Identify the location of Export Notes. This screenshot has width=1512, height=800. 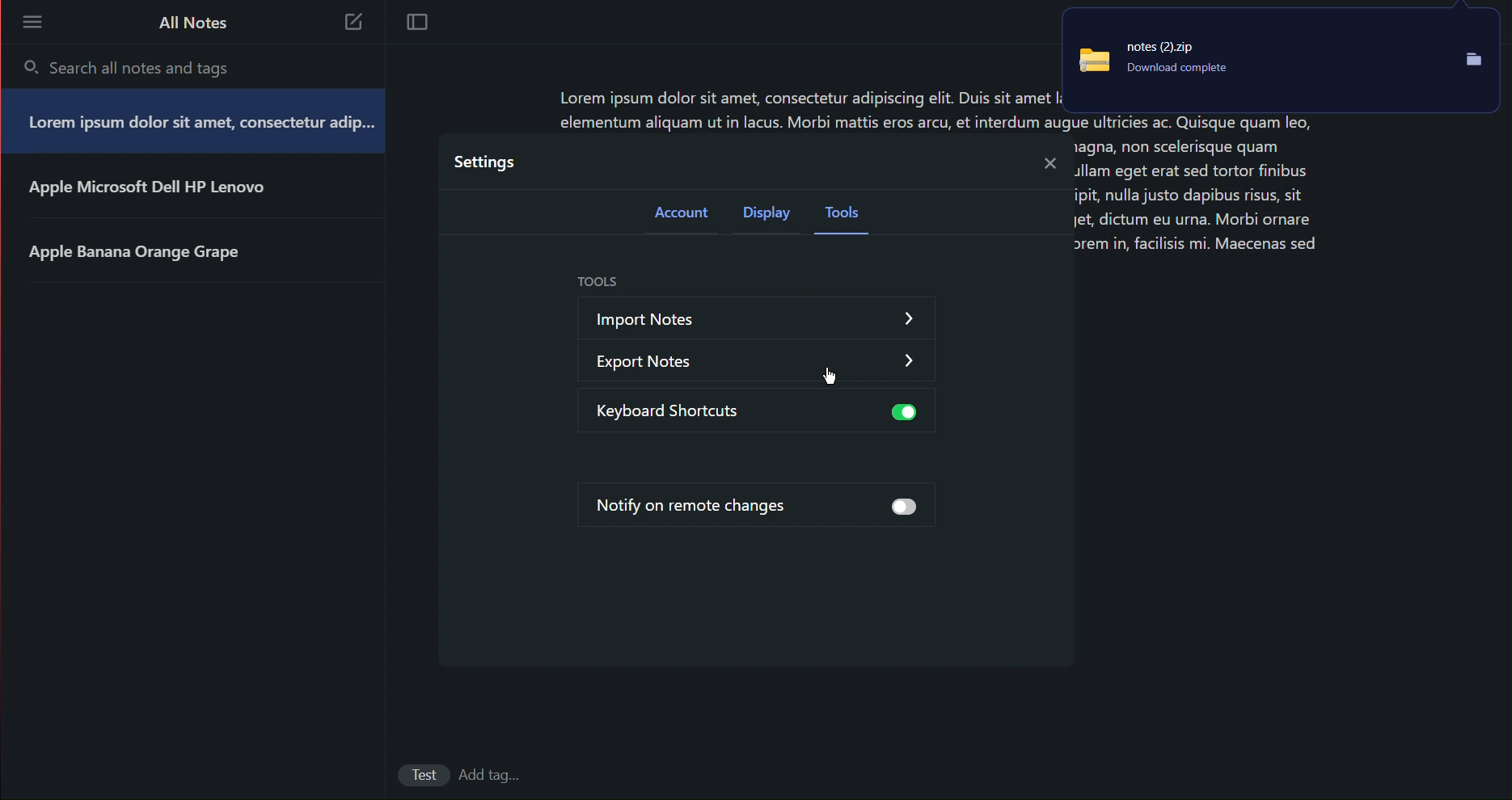
(698, 358).